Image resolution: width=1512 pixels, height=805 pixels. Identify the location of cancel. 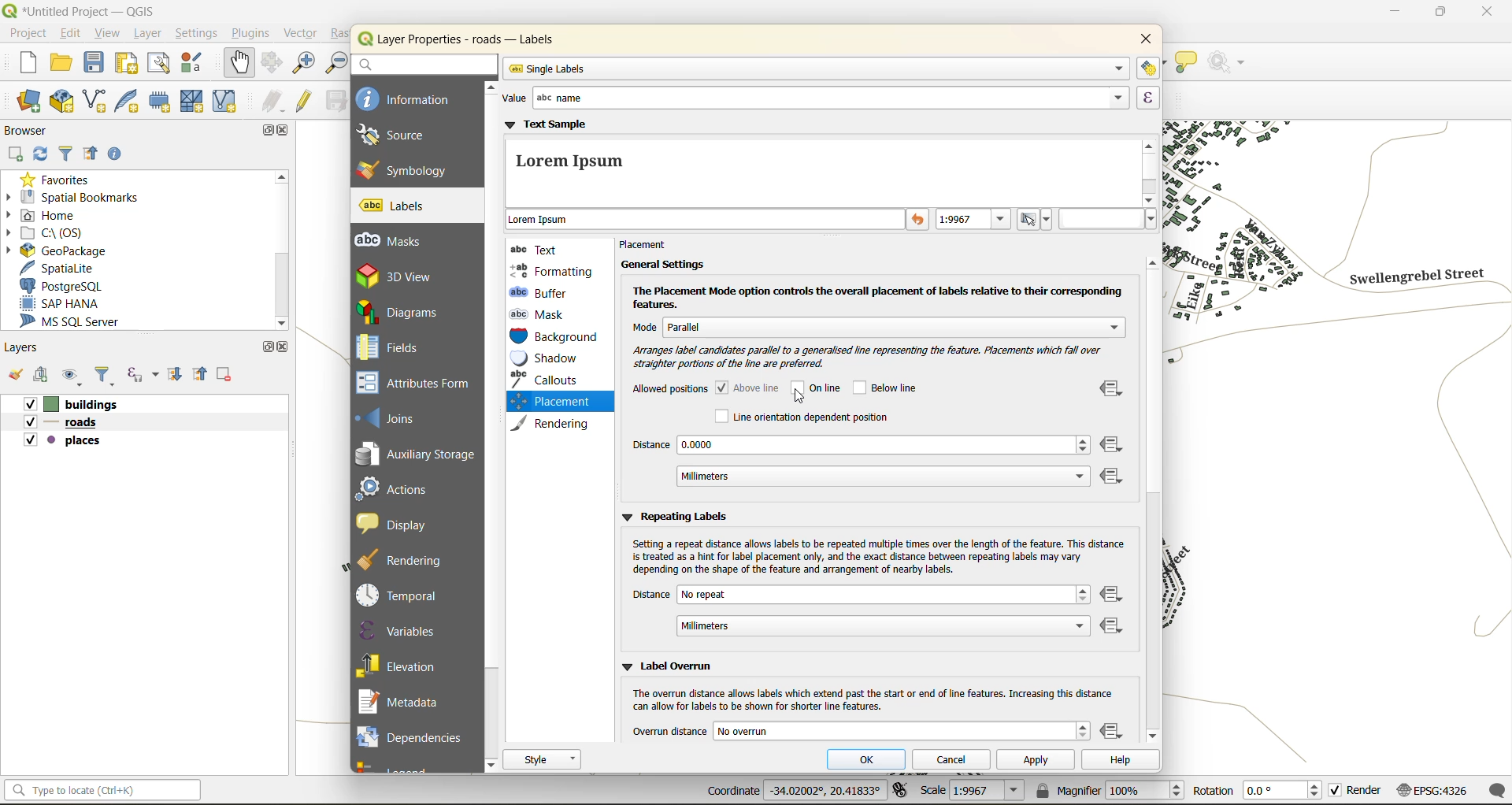
(955, 759).